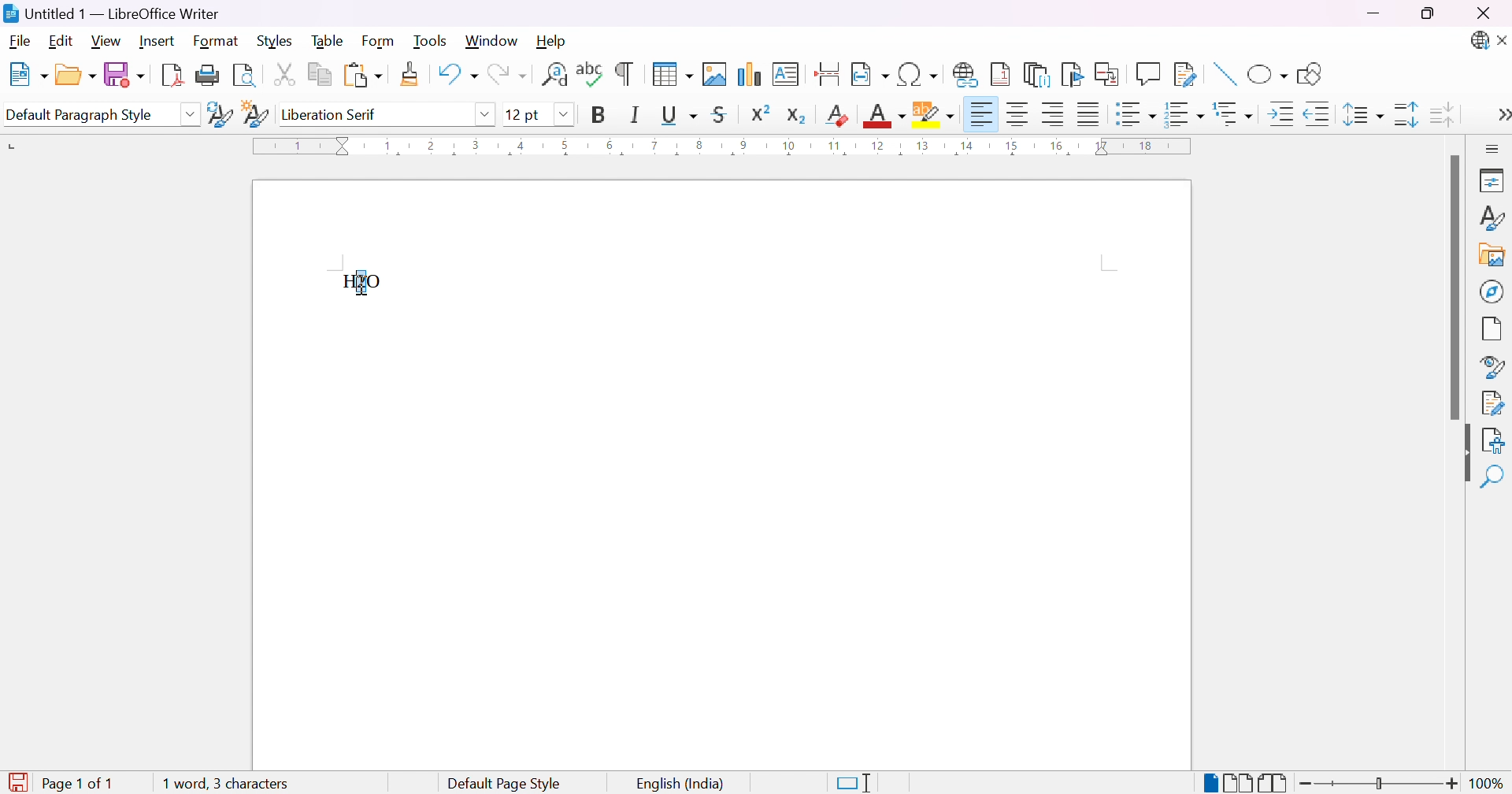  What do you see at coordinates (935, 114) in the screenshot?
I see `Character highlighting color` at bounding box center [935, 114].